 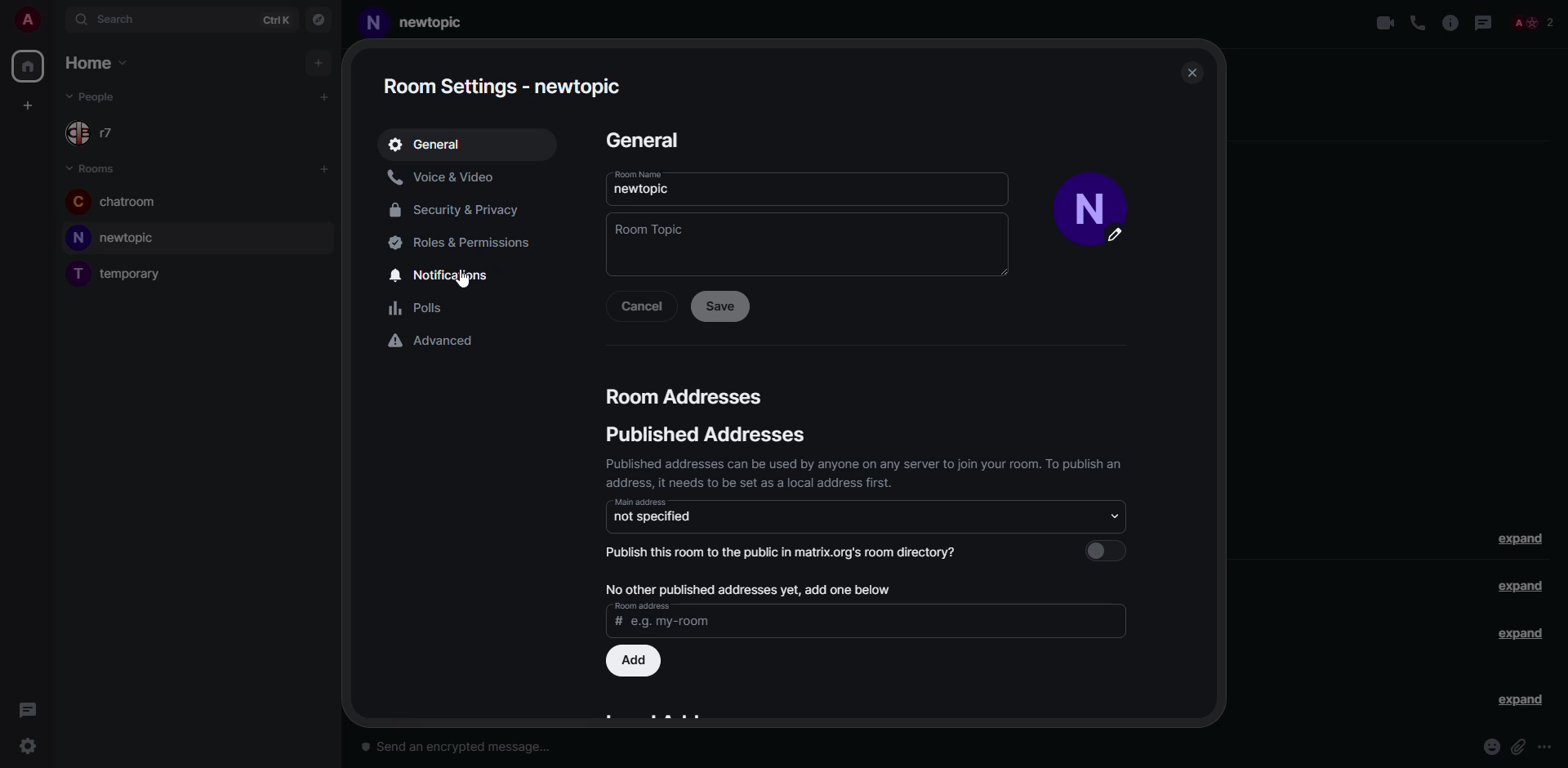 I want to click on no other published addresses yet, add one below, so click(x=752, y=591).